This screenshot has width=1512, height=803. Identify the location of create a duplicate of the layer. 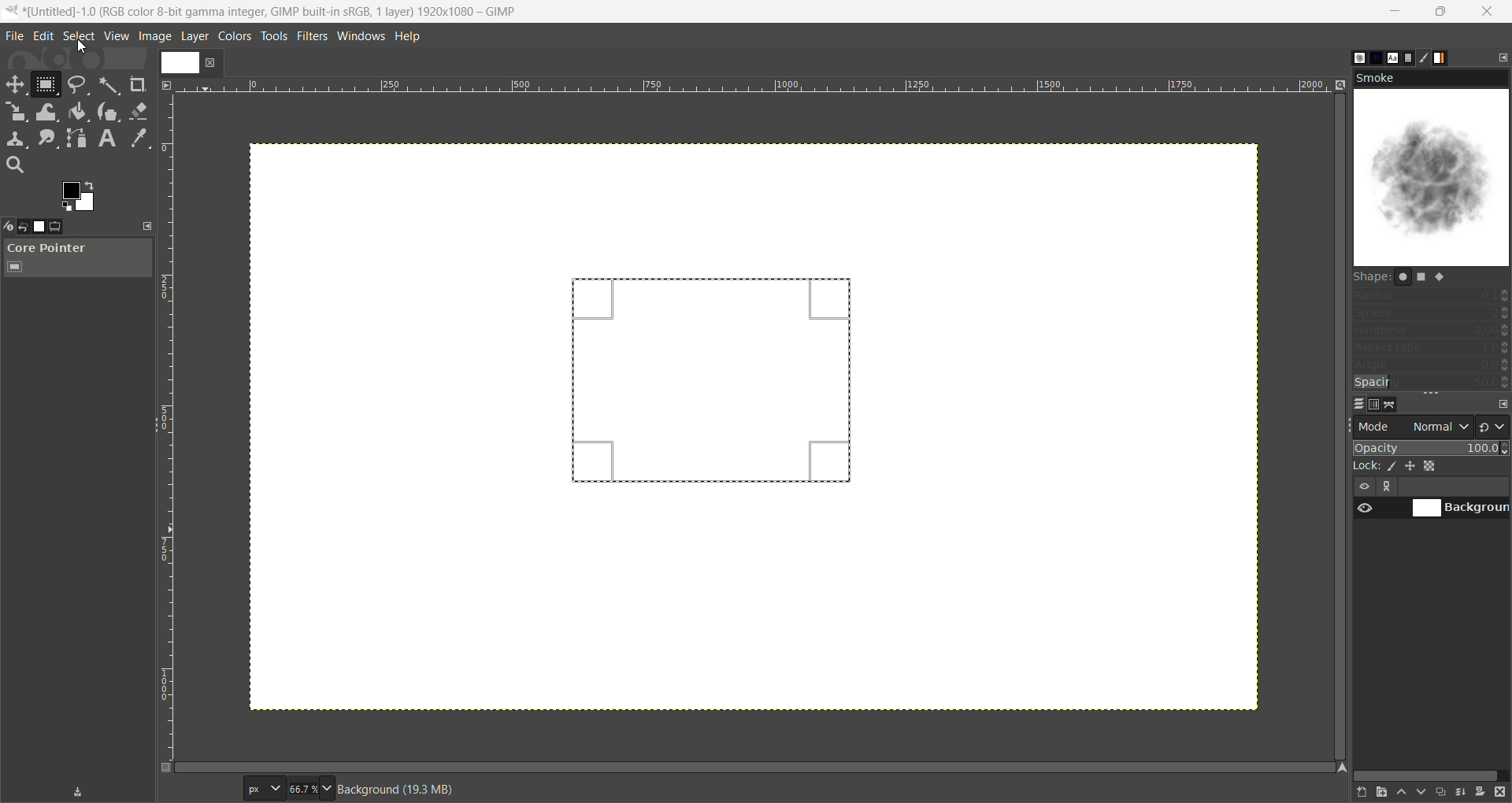
(1440, 793).